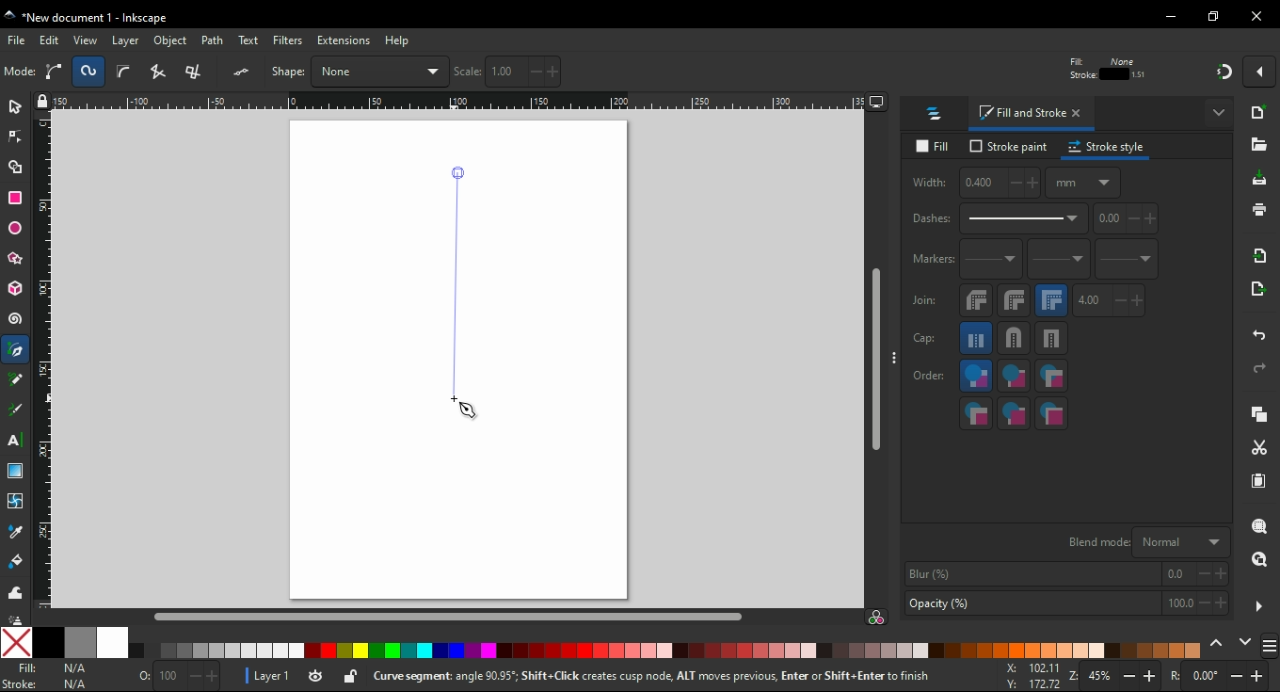 The width and height of the screenshot is (1280, 692). I want to click on blend mode Normal, so click(1145, 541).